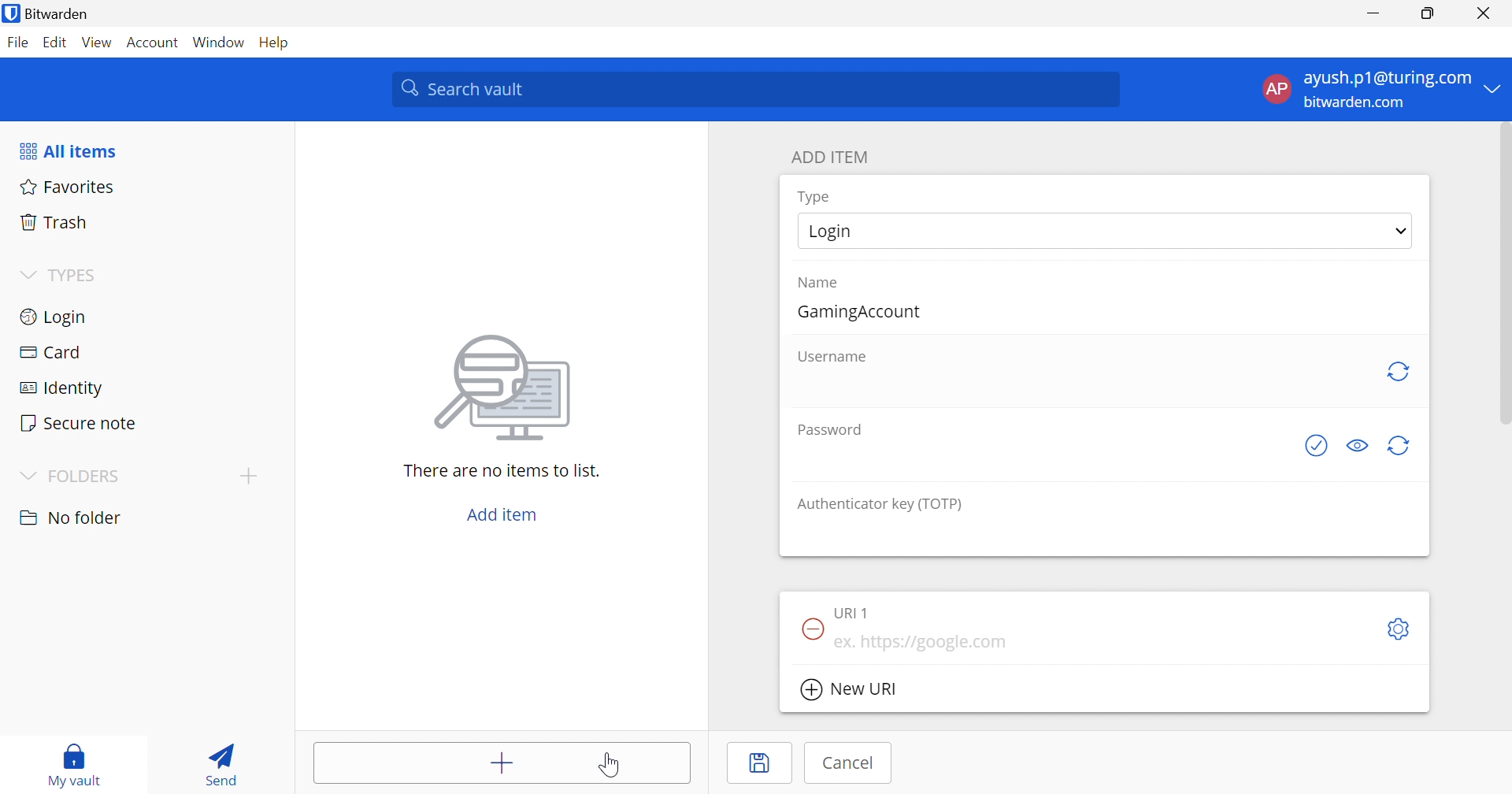 The width and height of the screenshot is (1512, 794). What do you see at coordinates (506, 387) in the screenshot?
I see `Image` at bounding box center [506, 387].